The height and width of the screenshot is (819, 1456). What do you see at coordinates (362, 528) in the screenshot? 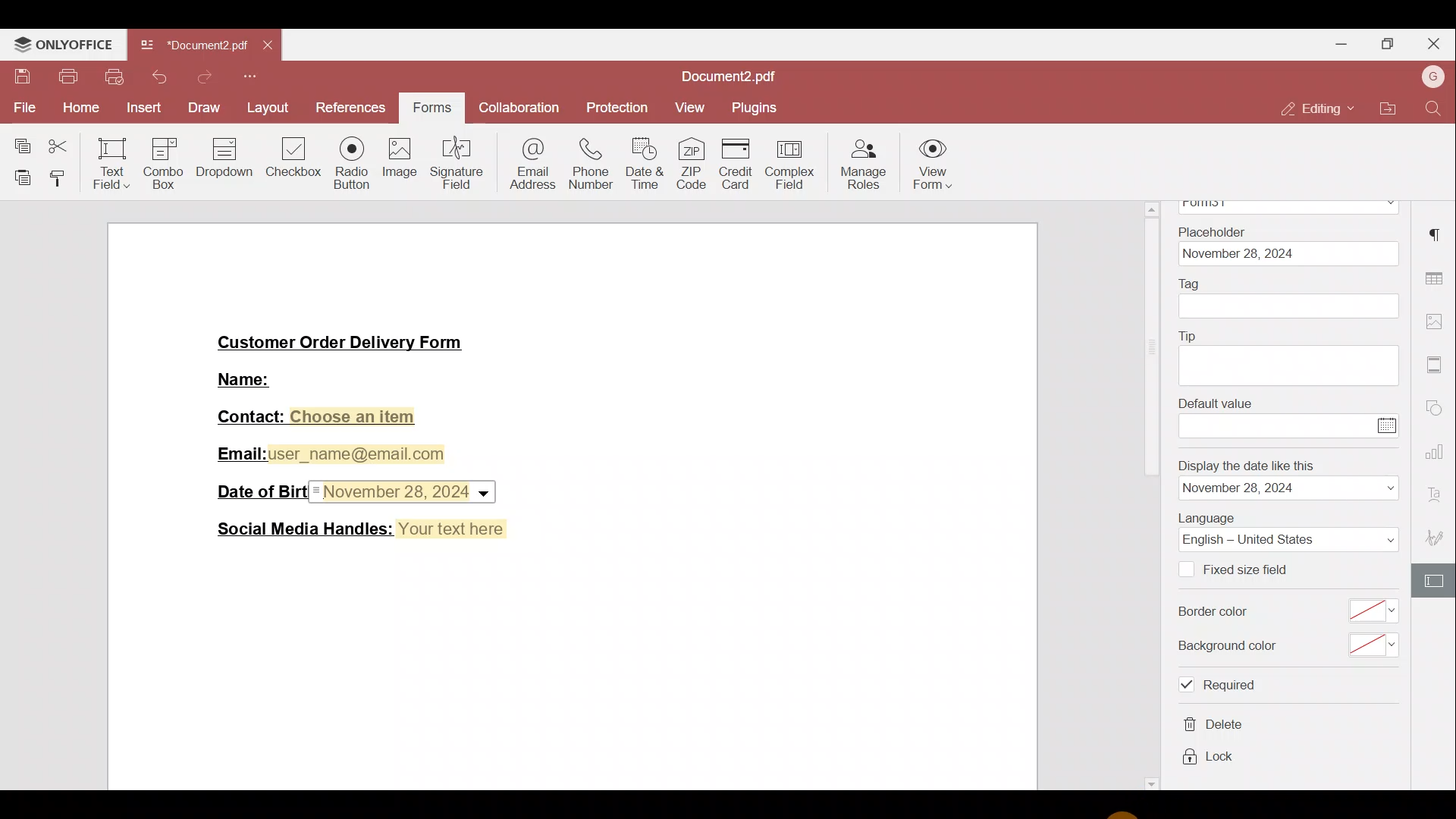
I see `Social Media Handles: Your text here` at bounding box center [362, 528].